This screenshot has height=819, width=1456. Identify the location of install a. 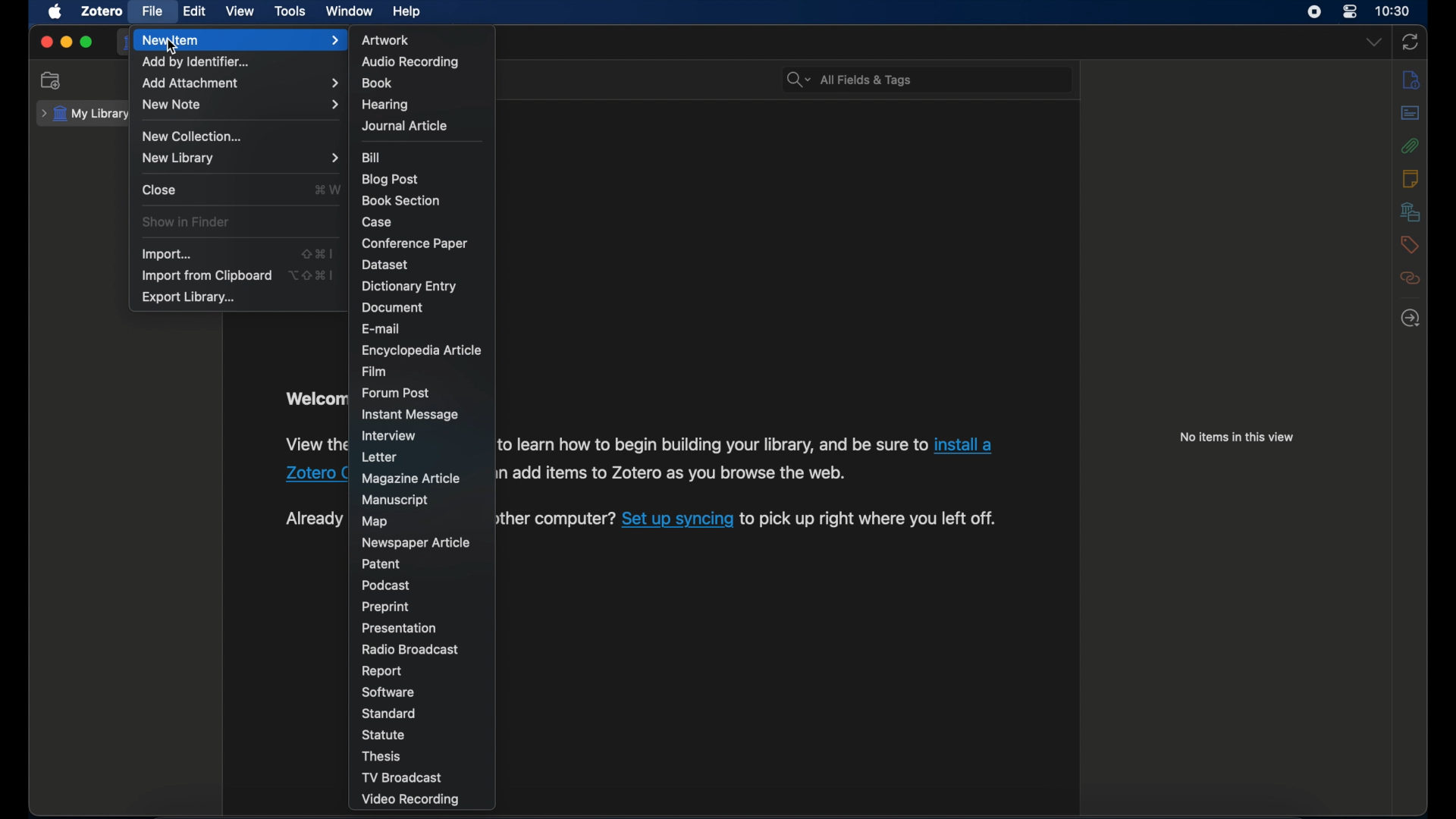
(965, 442).